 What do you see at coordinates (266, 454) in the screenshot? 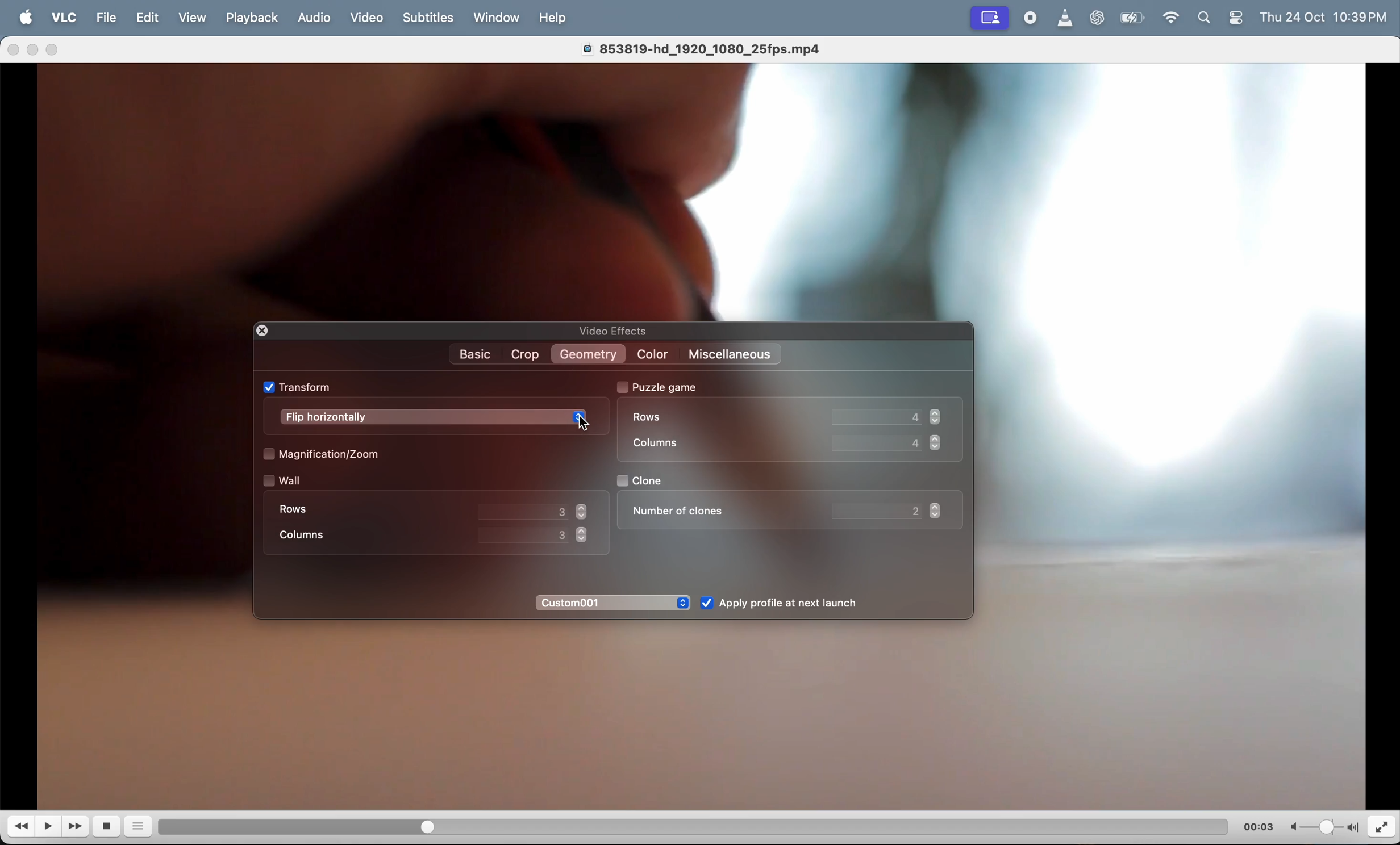
I see `check box` at bounding box center [266, 454].